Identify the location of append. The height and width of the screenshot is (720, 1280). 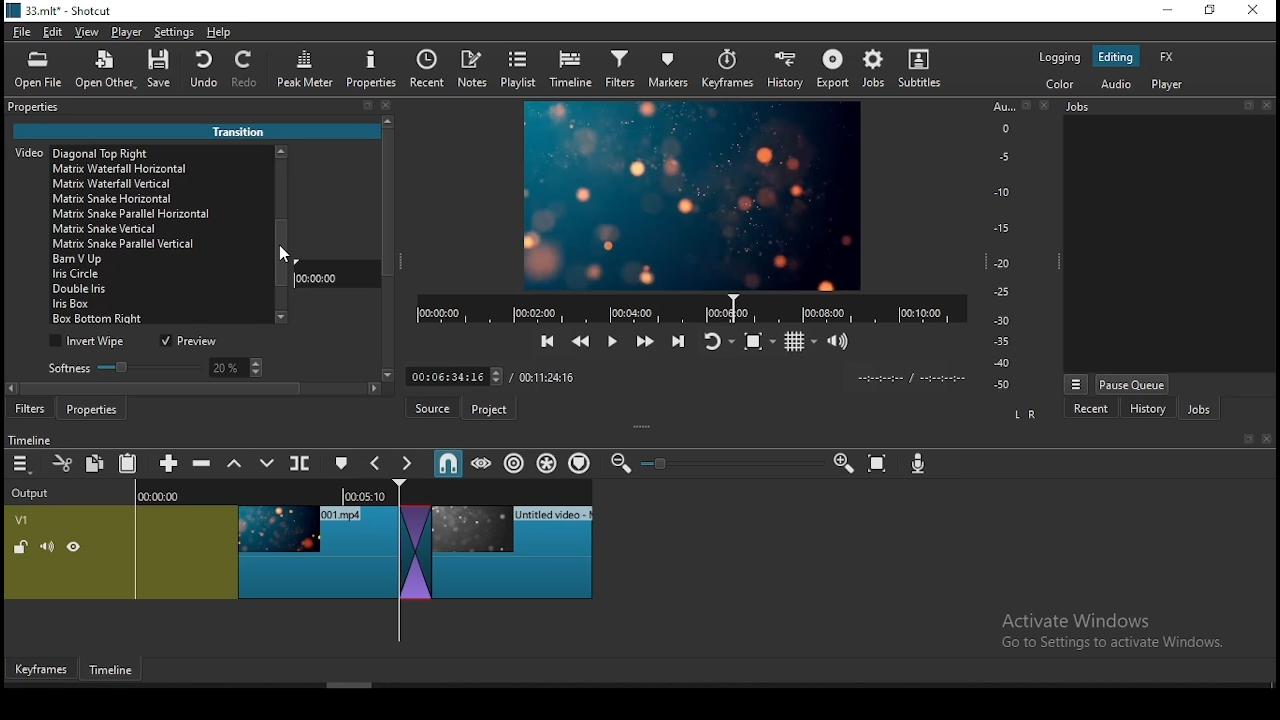
(170, 464).